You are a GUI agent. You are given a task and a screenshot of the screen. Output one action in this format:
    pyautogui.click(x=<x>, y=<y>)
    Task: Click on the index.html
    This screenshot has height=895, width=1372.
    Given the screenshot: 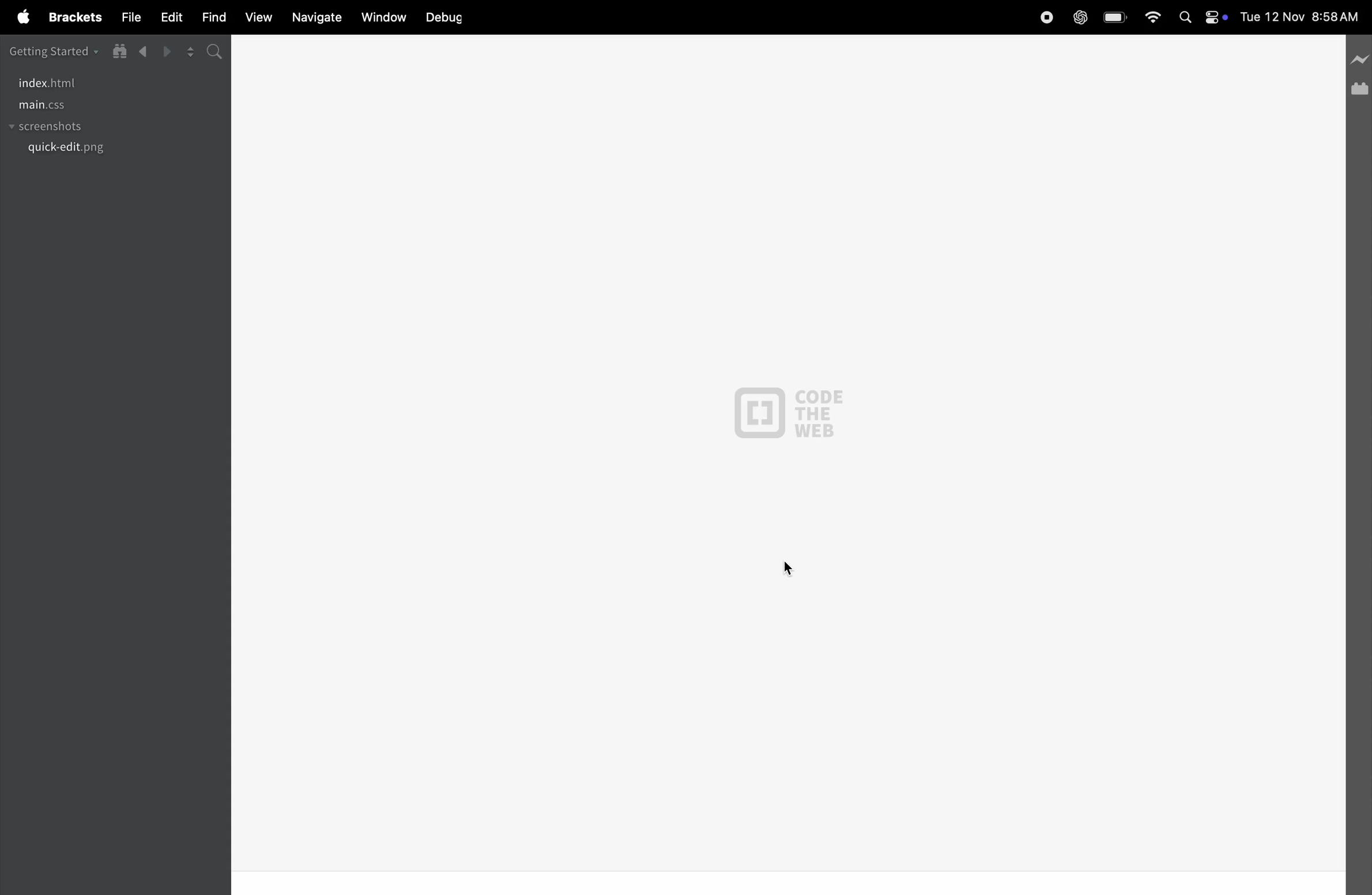 What is the action you would take?
    pyautogui.click(x=52, y=83)
    